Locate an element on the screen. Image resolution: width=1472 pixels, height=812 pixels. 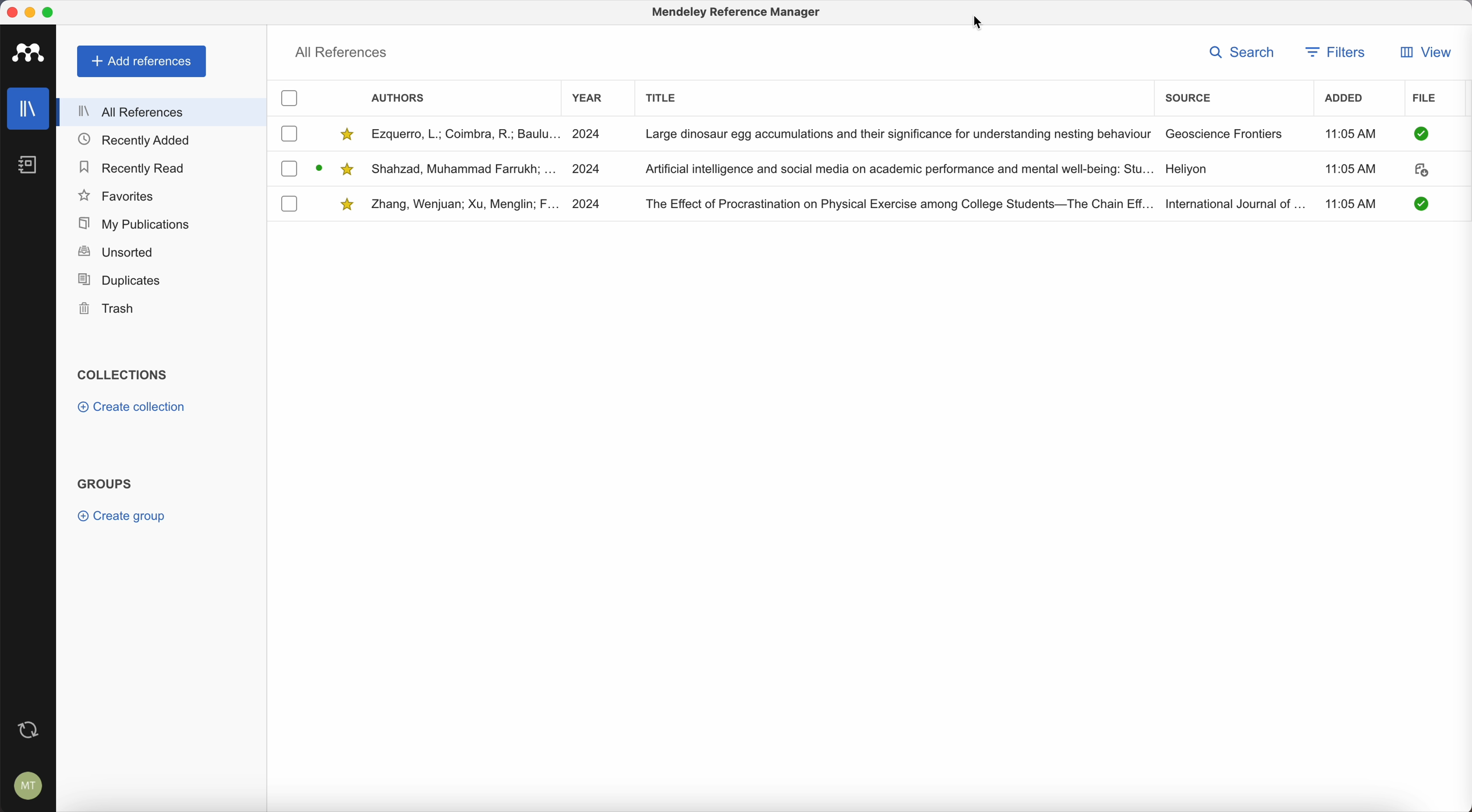
collections is located at coordinates (122, 375).